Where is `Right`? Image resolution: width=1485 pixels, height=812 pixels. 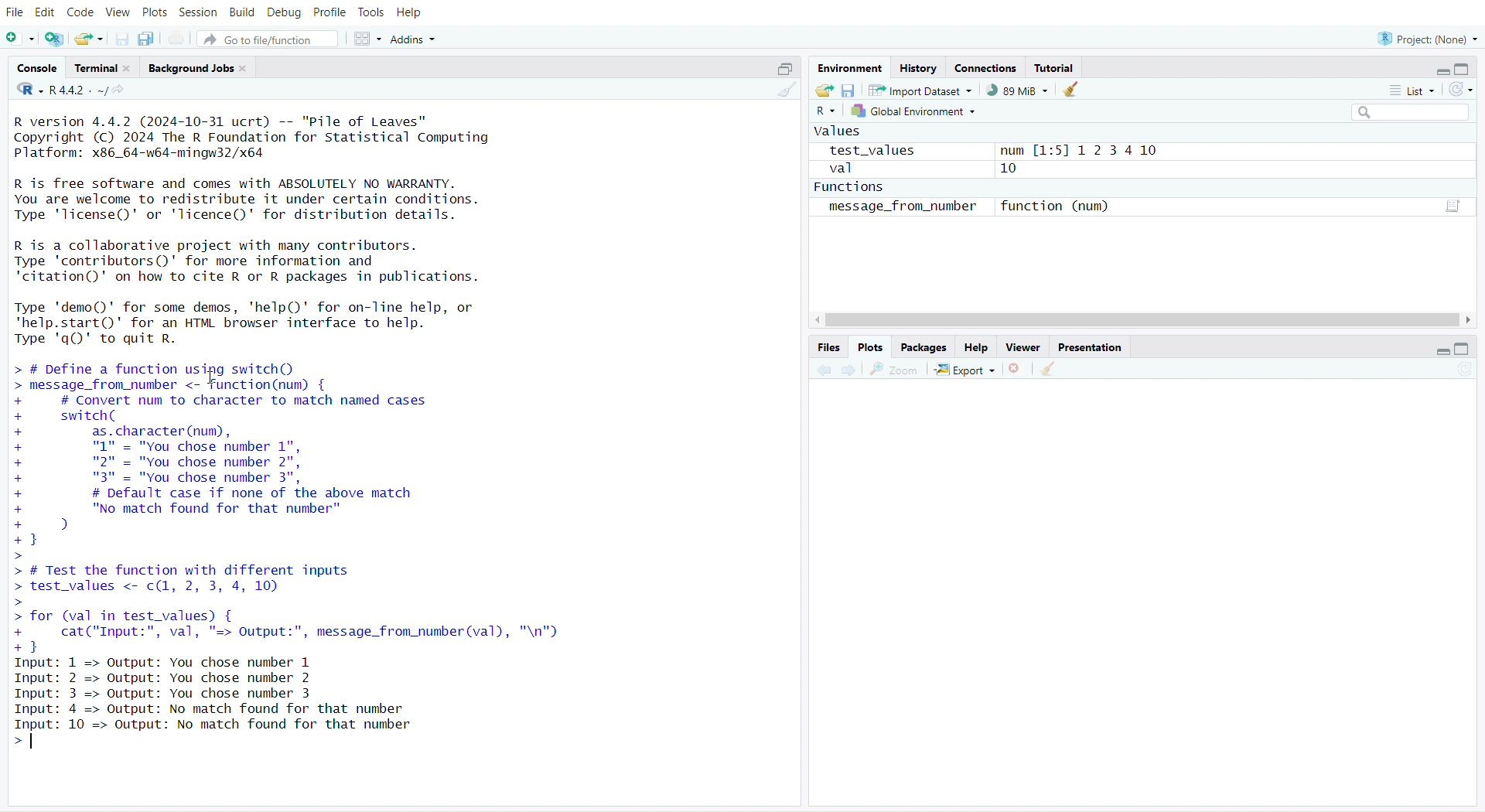
Right is located at coordinates (1470, 319).